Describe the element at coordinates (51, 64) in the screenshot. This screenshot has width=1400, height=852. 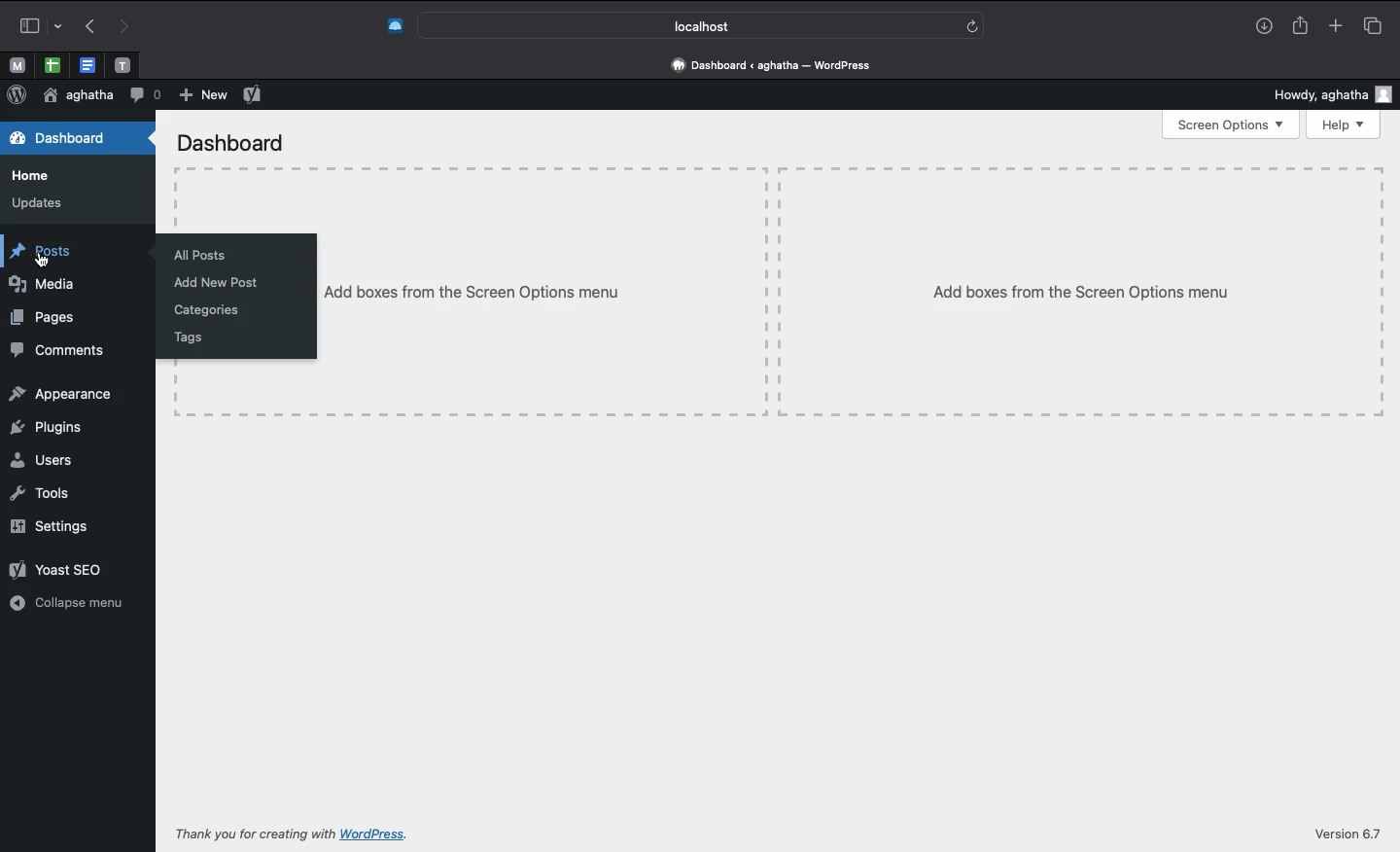
I see `Pinned tabs` at that location.